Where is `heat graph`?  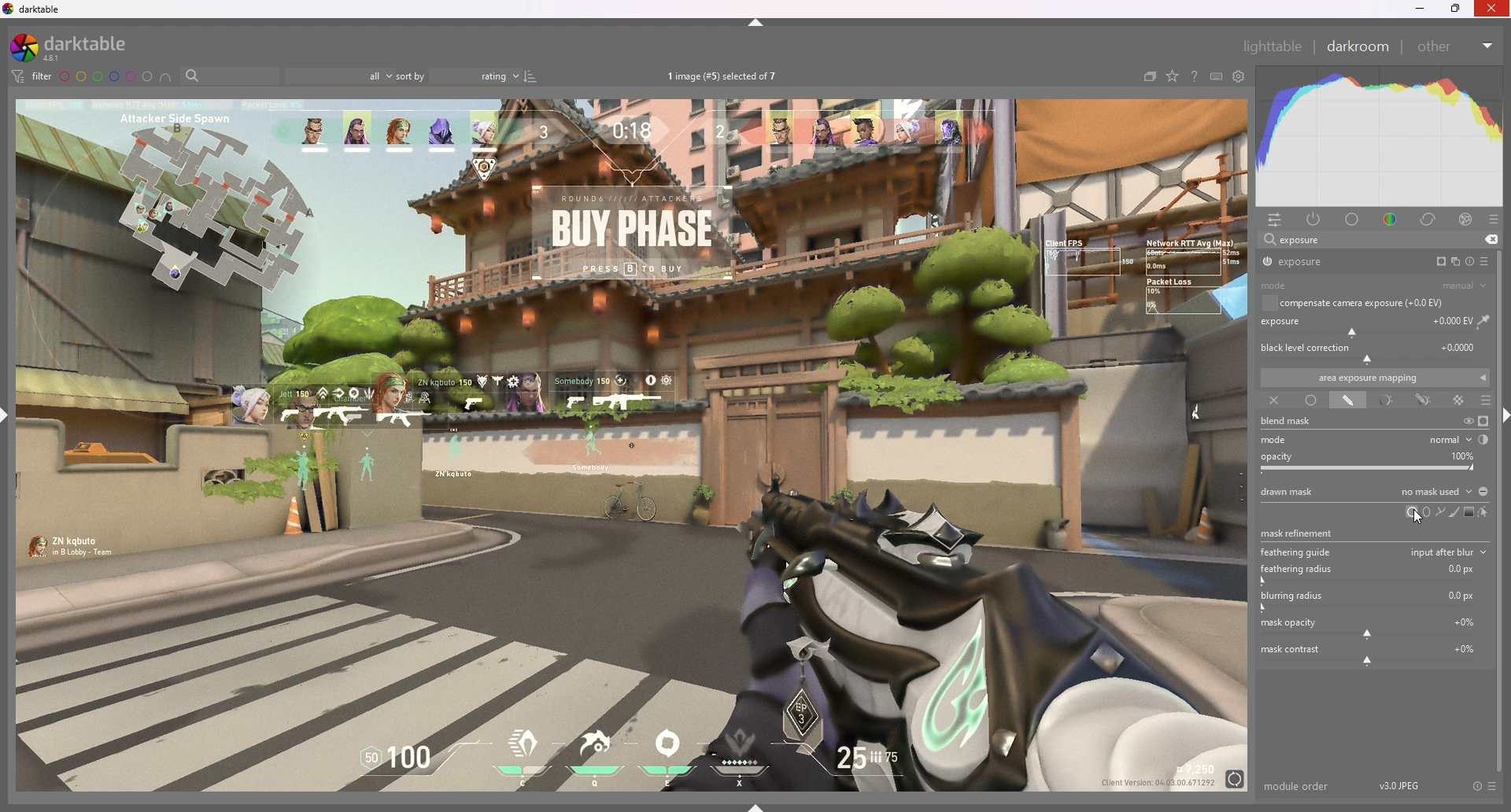
heat graph is located at coordinates (1378, 137).